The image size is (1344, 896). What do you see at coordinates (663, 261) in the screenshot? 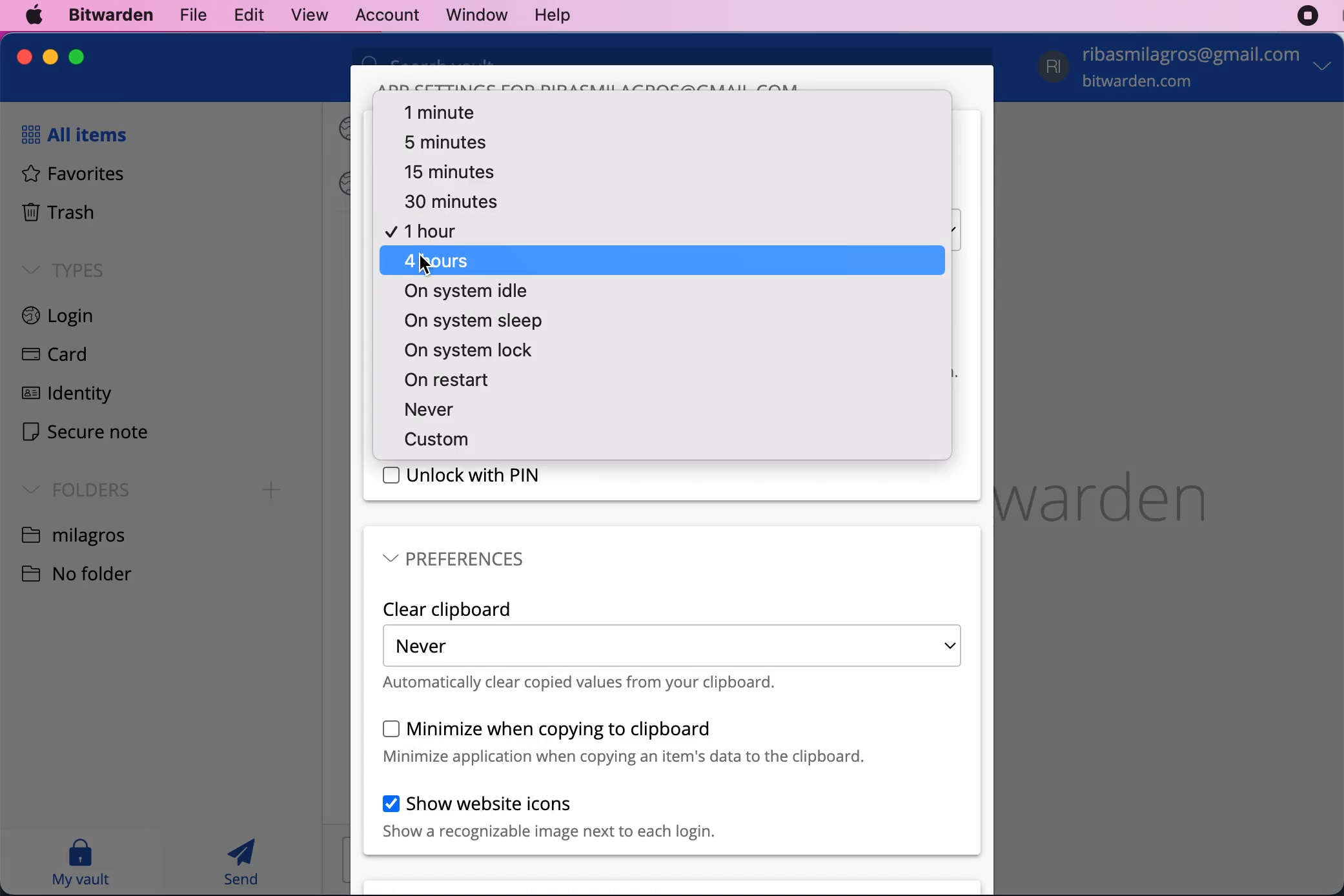
I see `4 hours` at bounding box center [663, 261].